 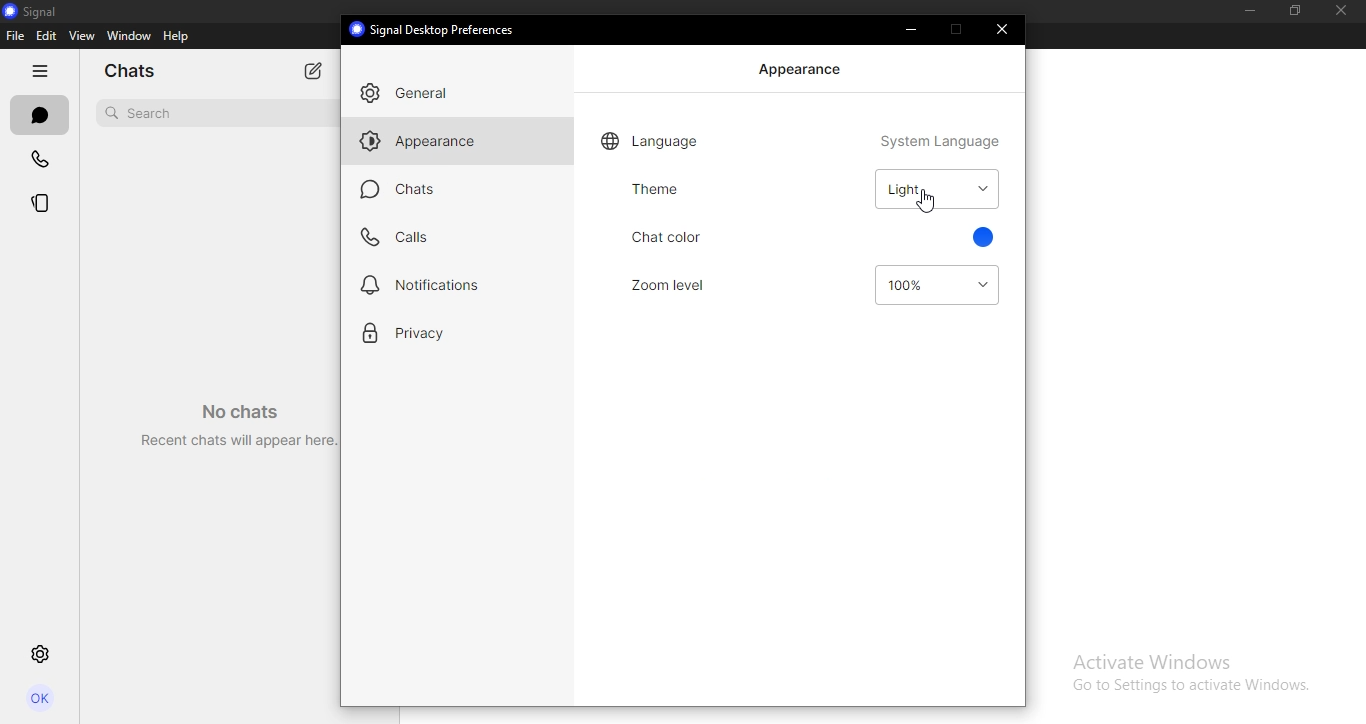 I want to click on window, so click(x=128, y=37).